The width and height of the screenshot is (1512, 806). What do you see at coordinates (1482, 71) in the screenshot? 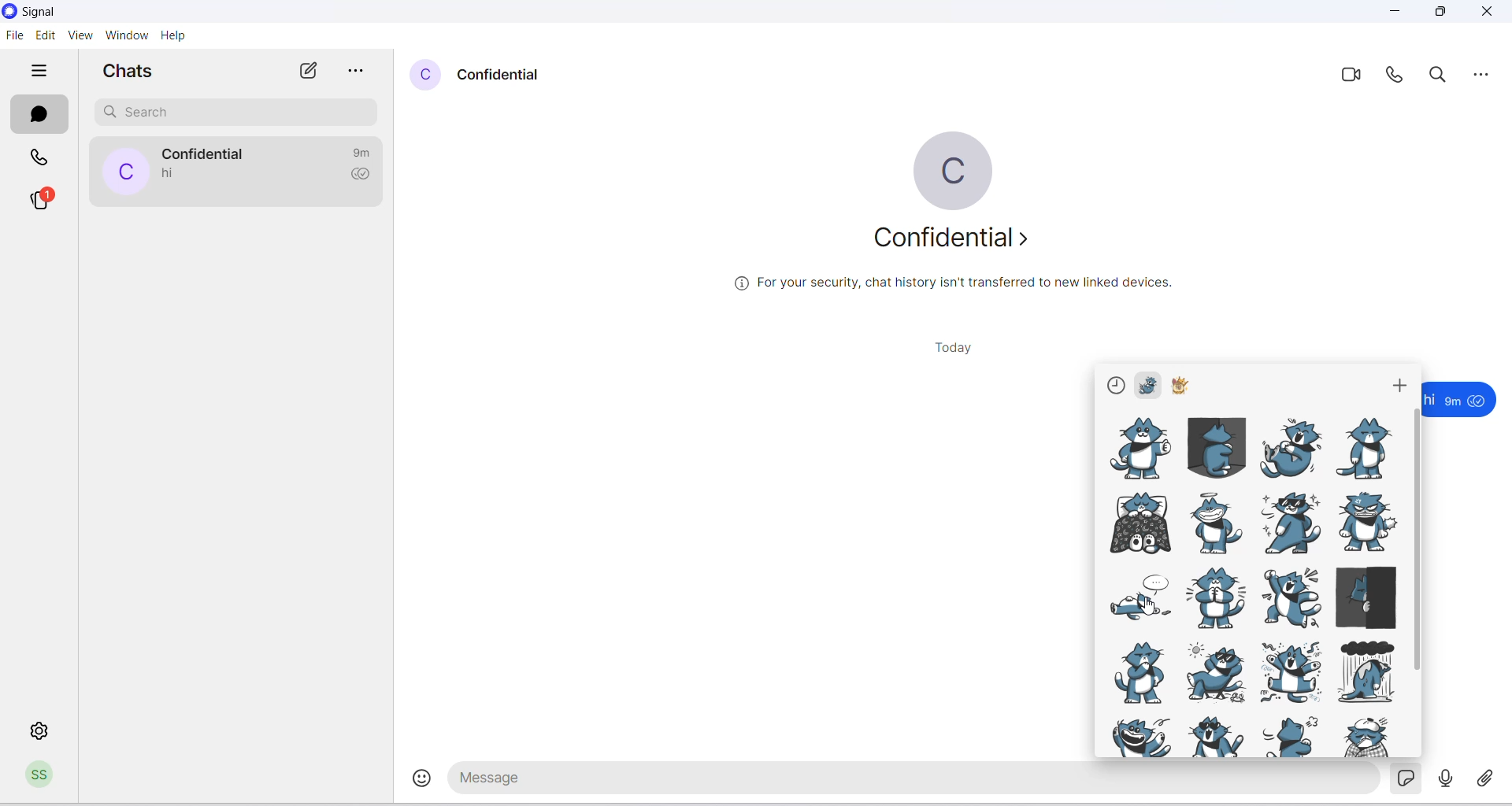
I see `more options` at bounding box center [1482, 71].